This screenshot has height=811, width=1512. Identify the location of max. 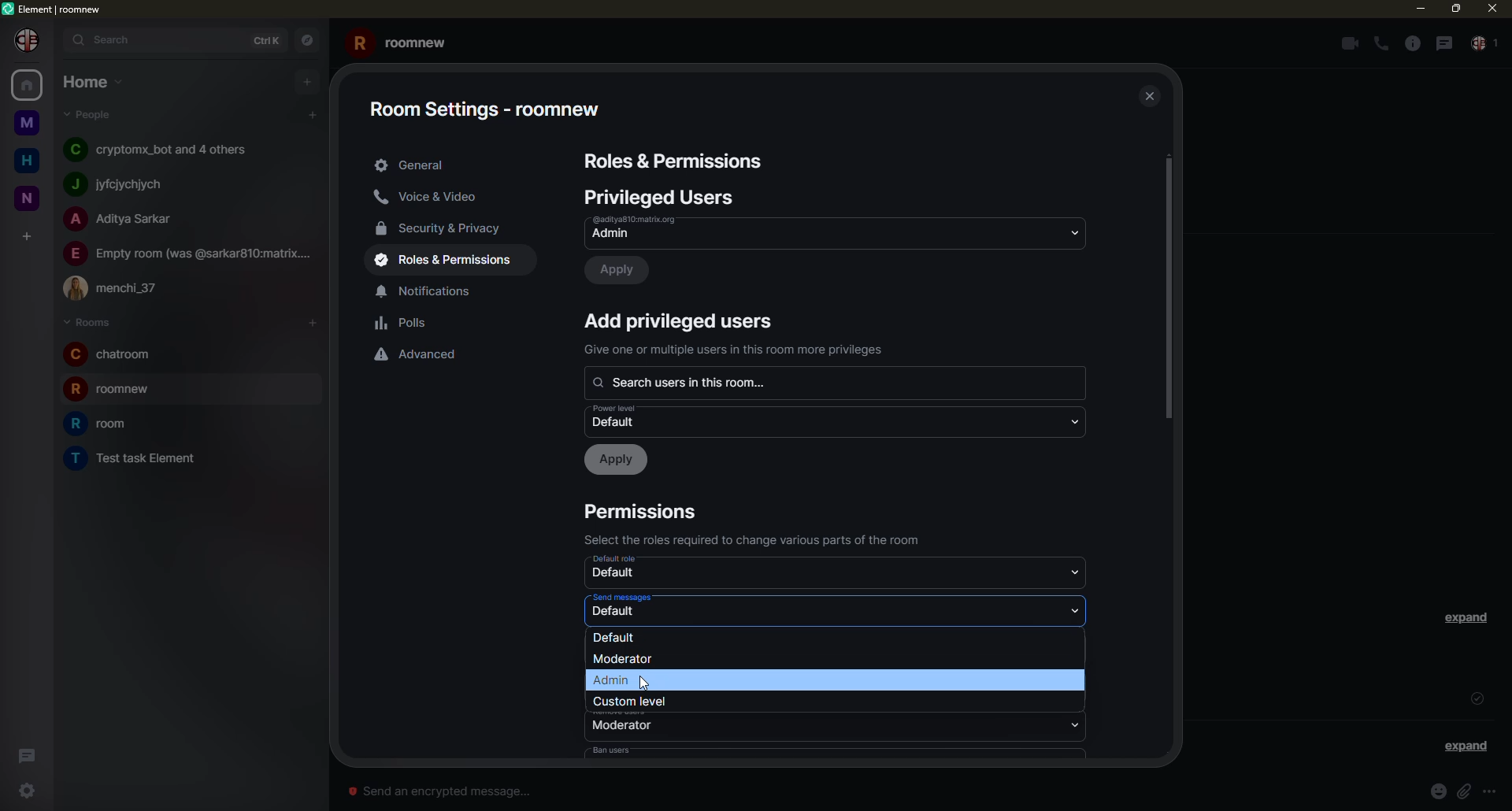
(1454, 9).